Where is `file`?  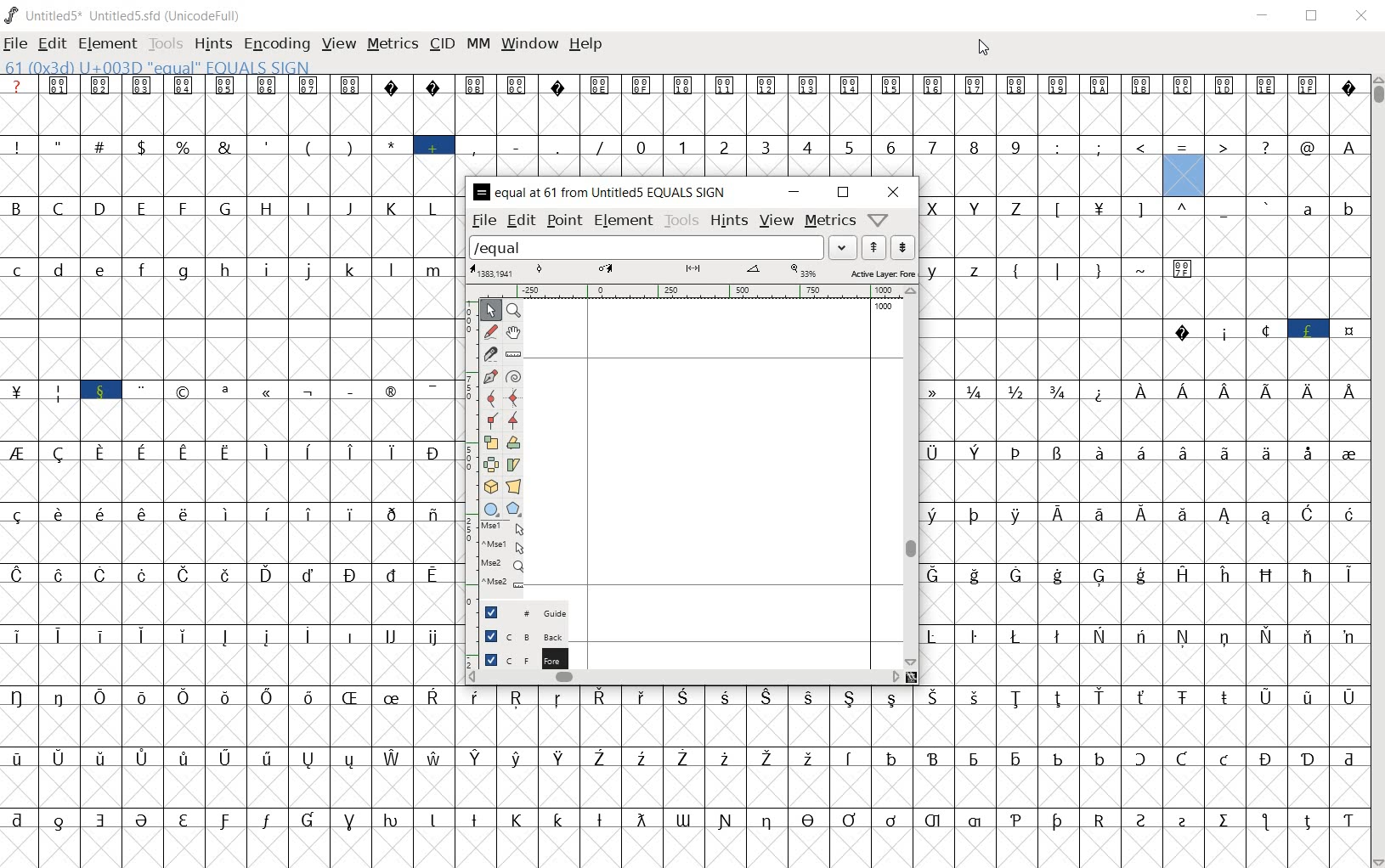 file is located at coordinates (14, 45).